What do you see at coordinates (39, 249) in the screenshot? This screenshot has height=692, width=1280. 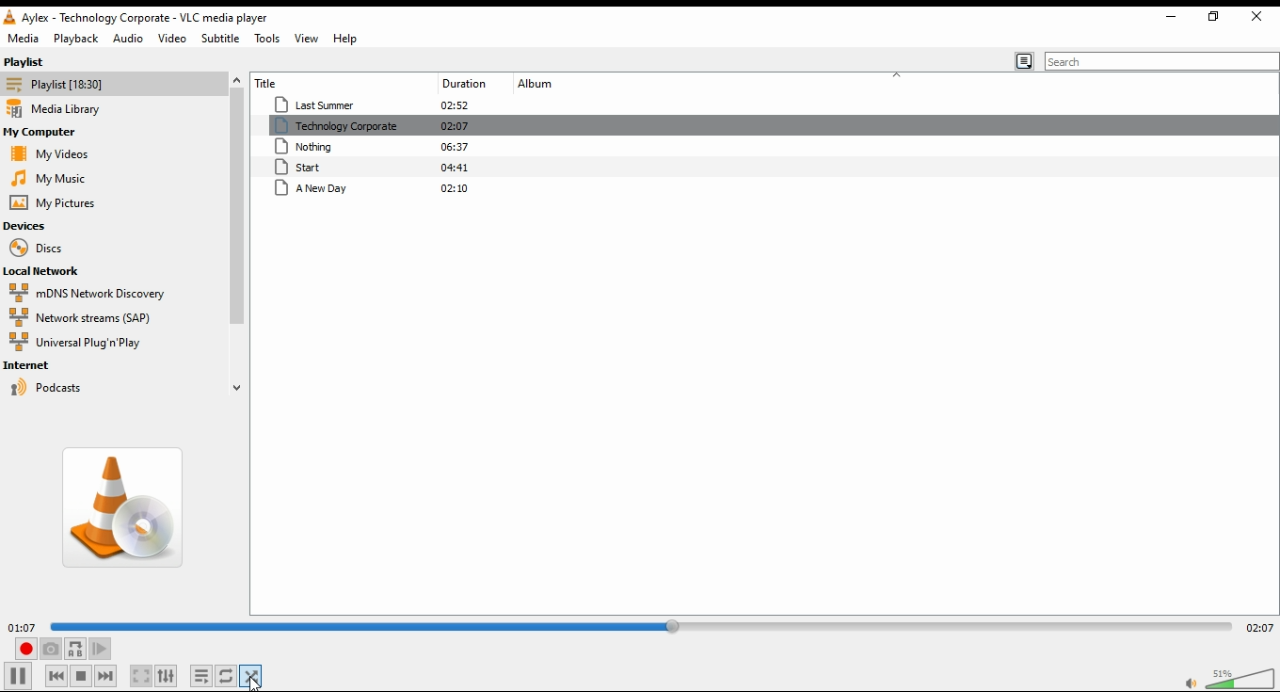 I see `discs` at bounding box center [39, 249].